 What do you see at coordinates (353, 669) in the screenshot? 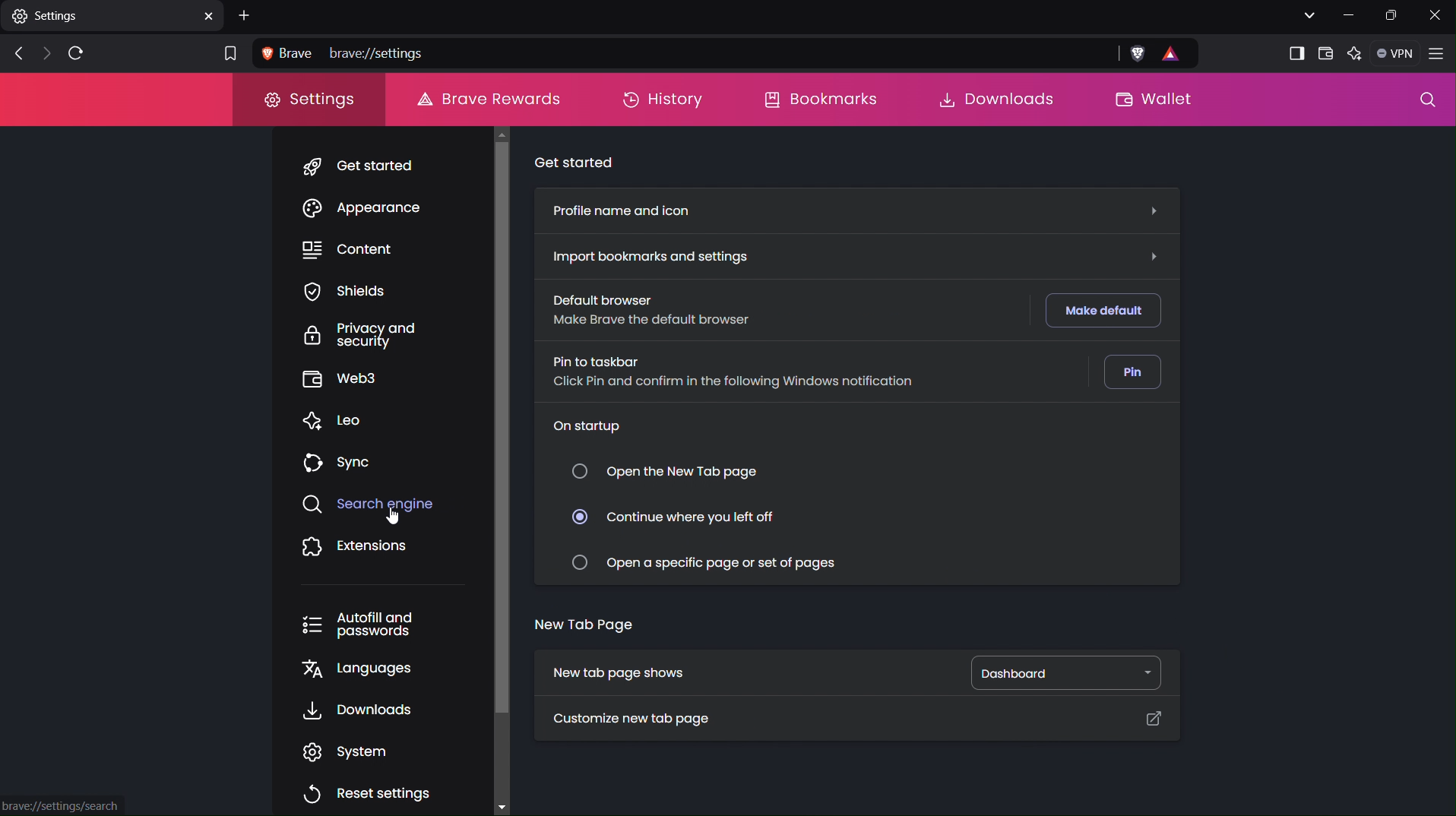
I see `Languages` at bounding box center [353, 669].